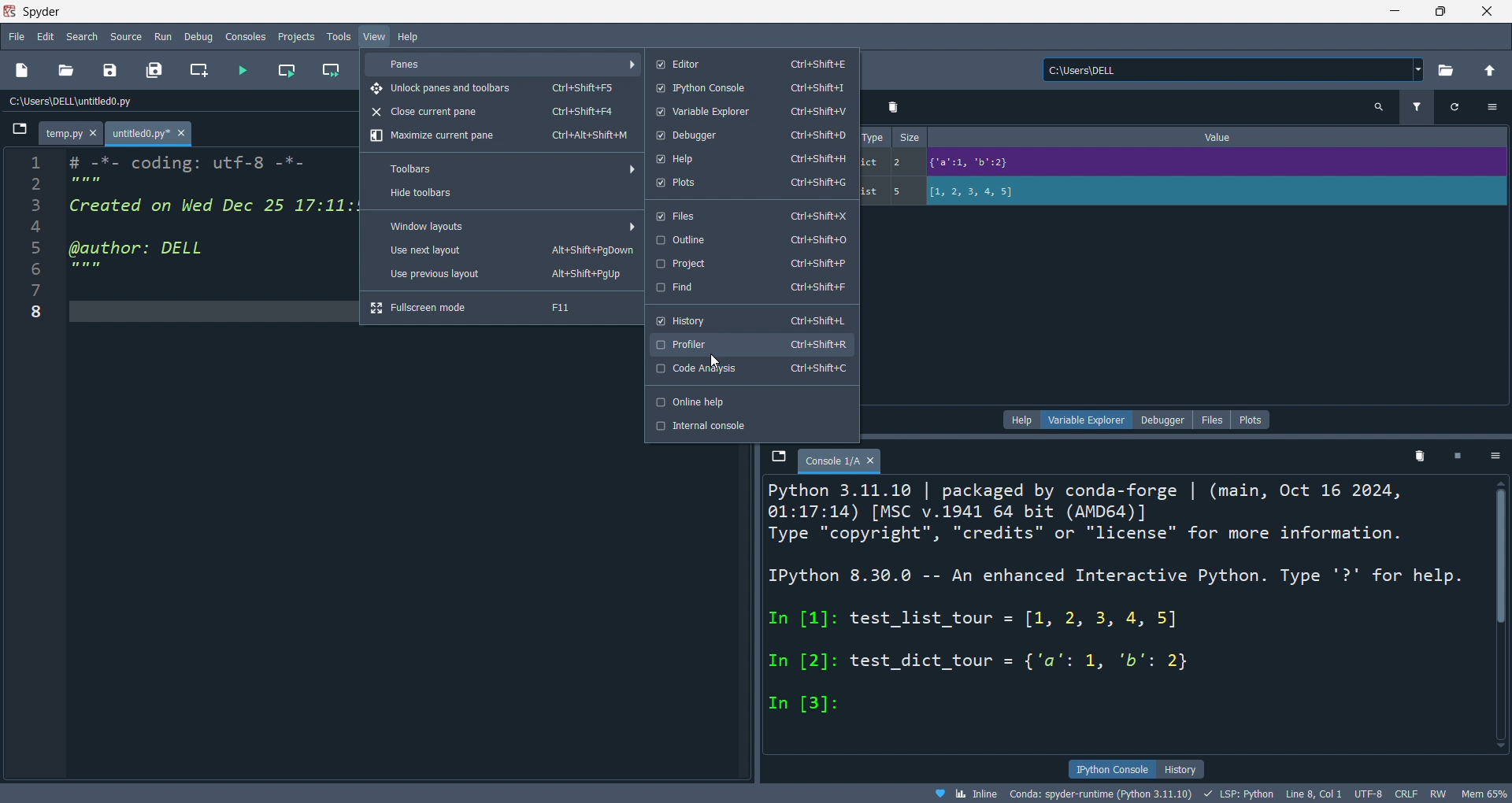 This screenshot has height=803, width=1512. What do you see at coordinates (18, 39) in the screenshot?
I see `file` at bounding box center [18, 39].